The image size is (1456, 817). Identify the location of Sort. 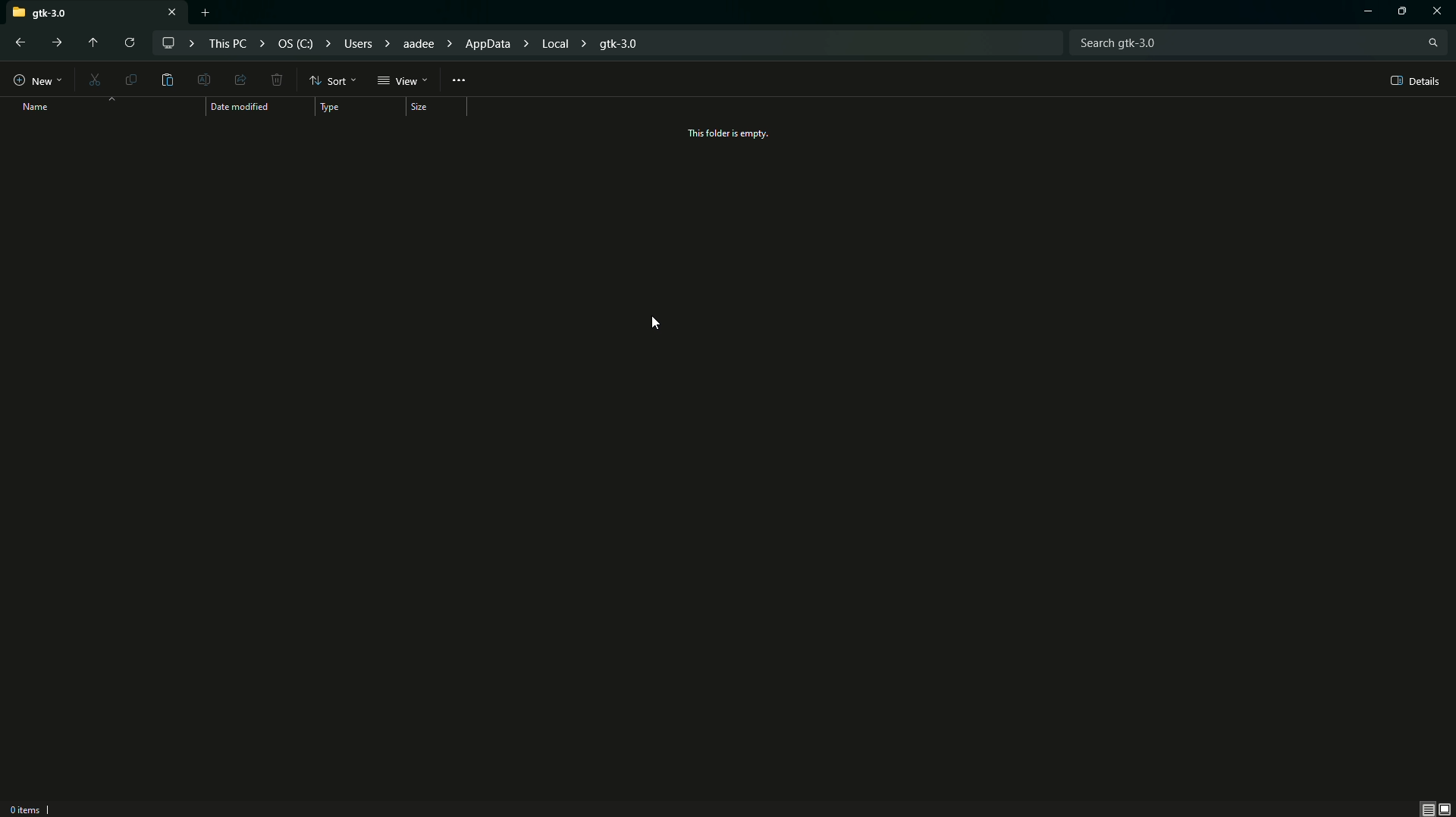
(331, 81).